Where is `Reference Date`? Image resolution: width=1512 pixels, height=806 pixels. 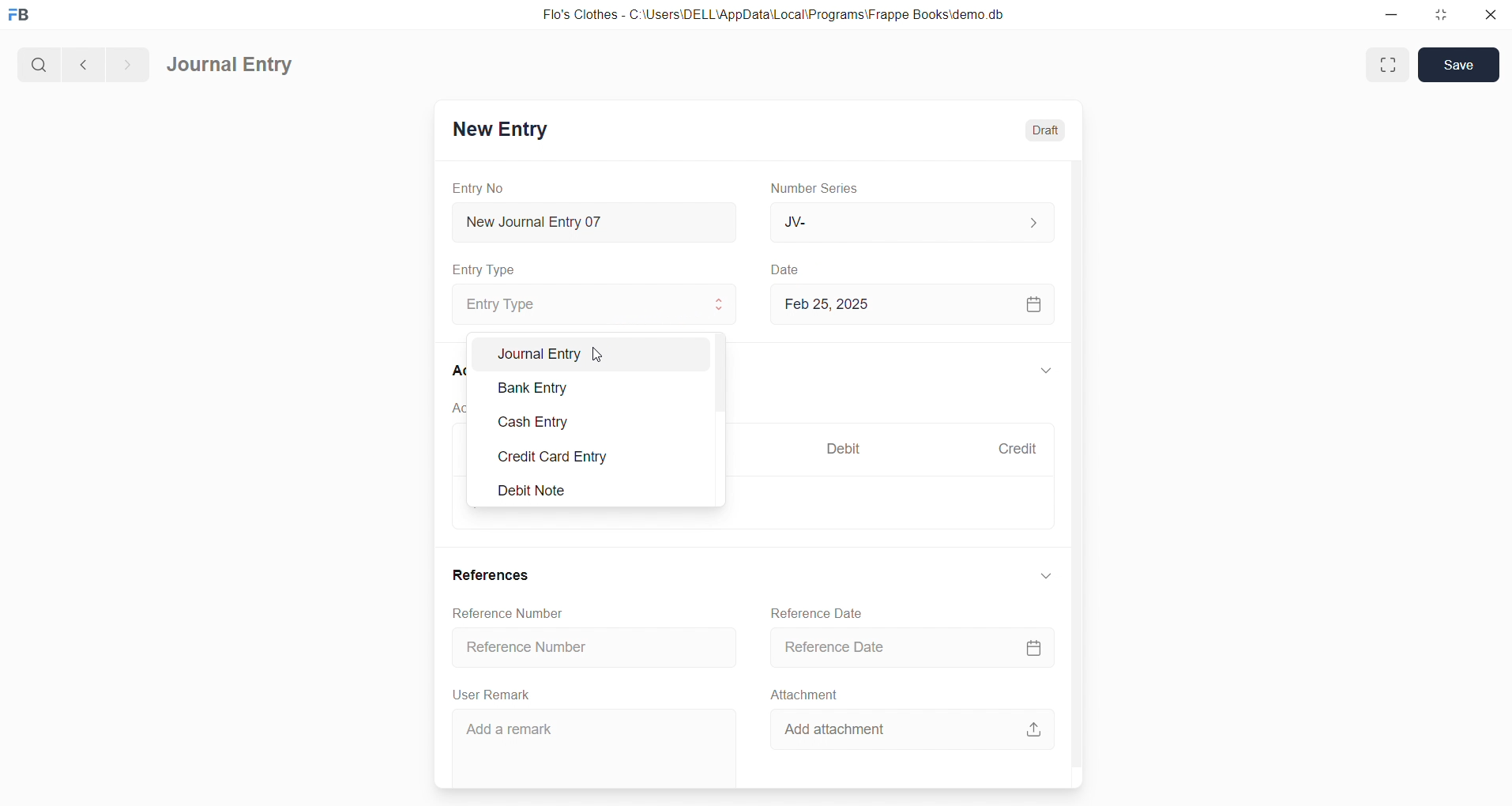
Reference Date is located at coordinates (912, 648).